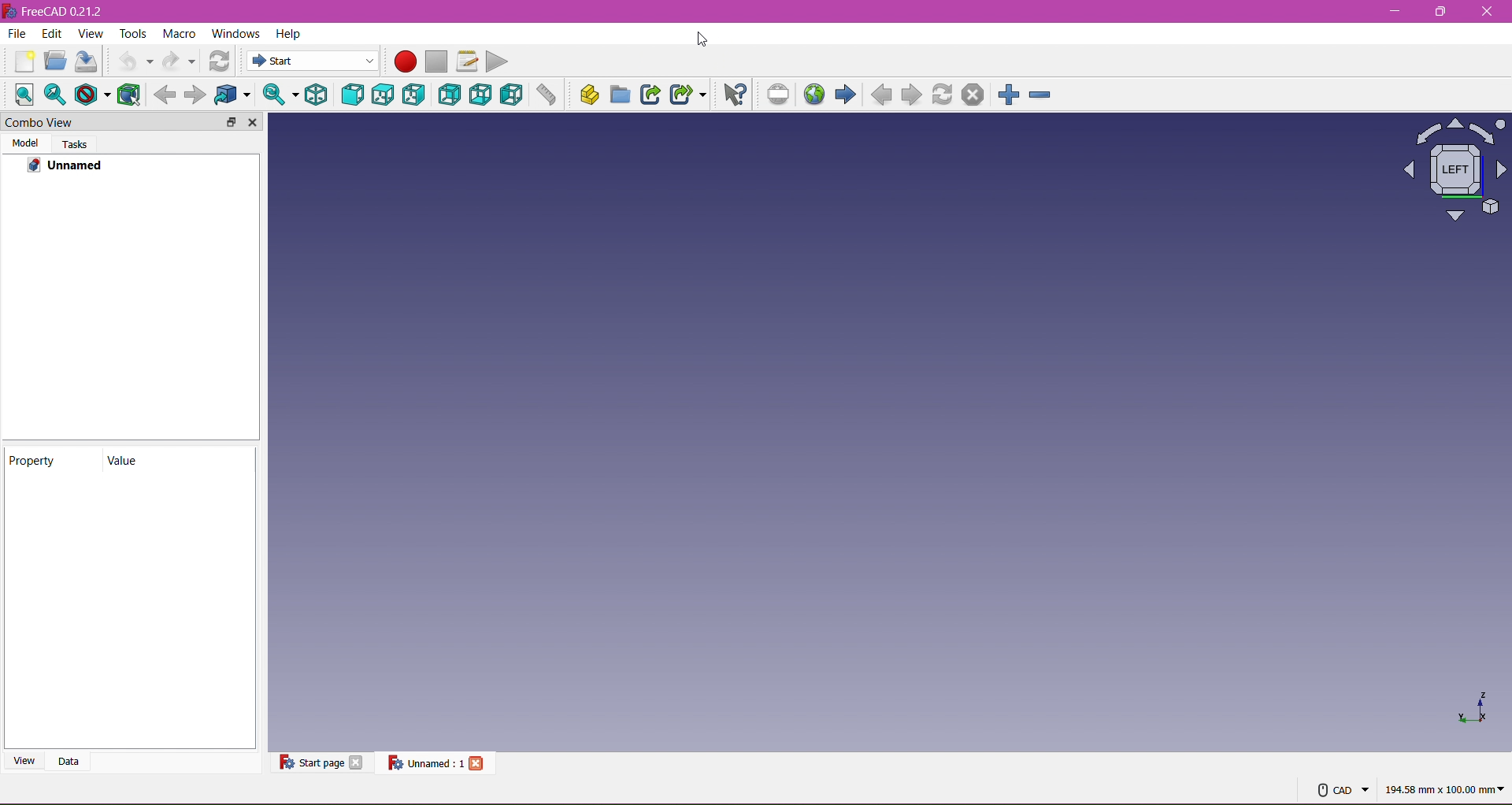  I want to click on Open Document, so click(55, 62).